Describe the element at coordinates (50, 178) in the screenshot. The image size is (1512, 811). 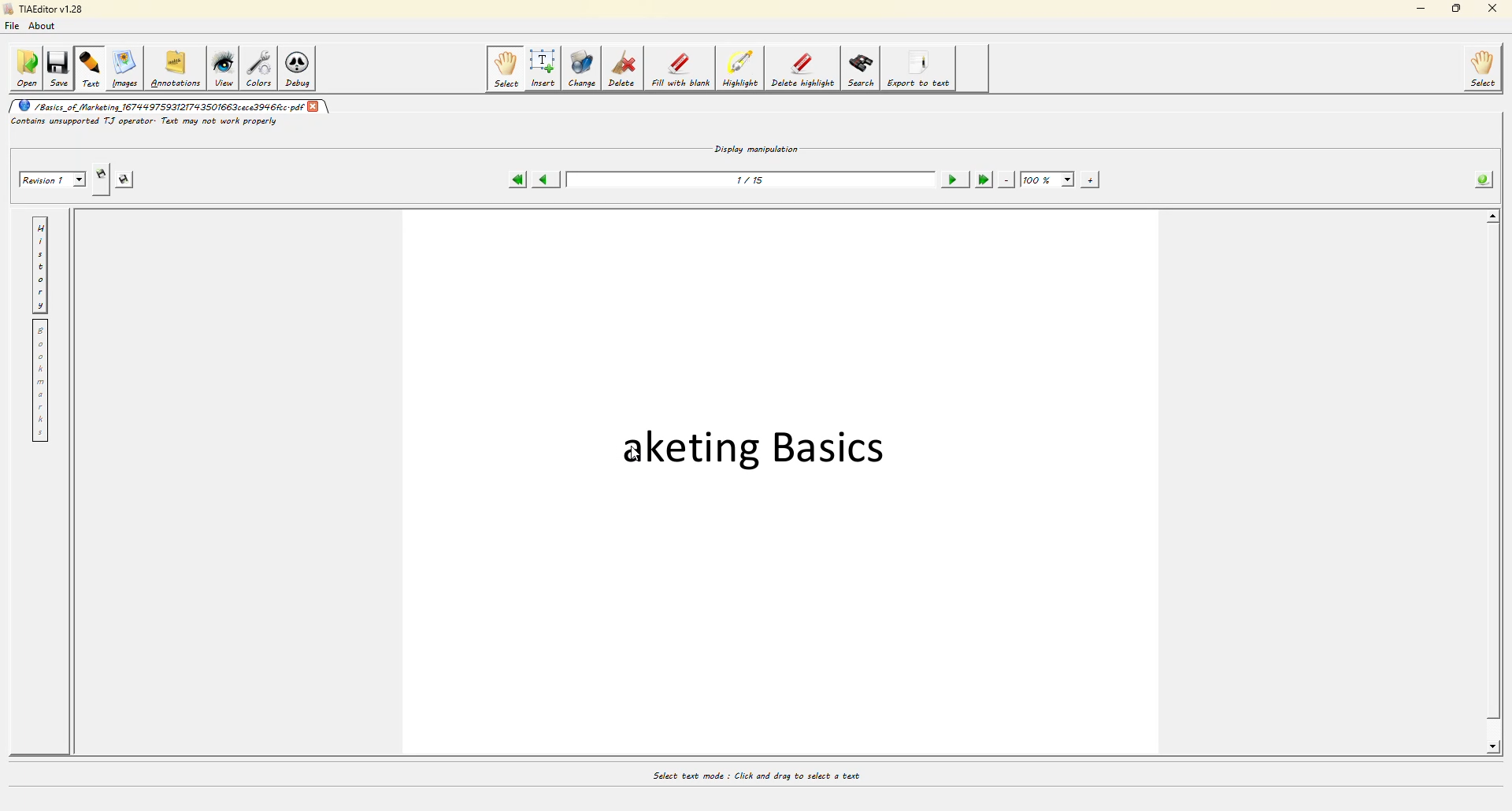
I see `revision` at that location.